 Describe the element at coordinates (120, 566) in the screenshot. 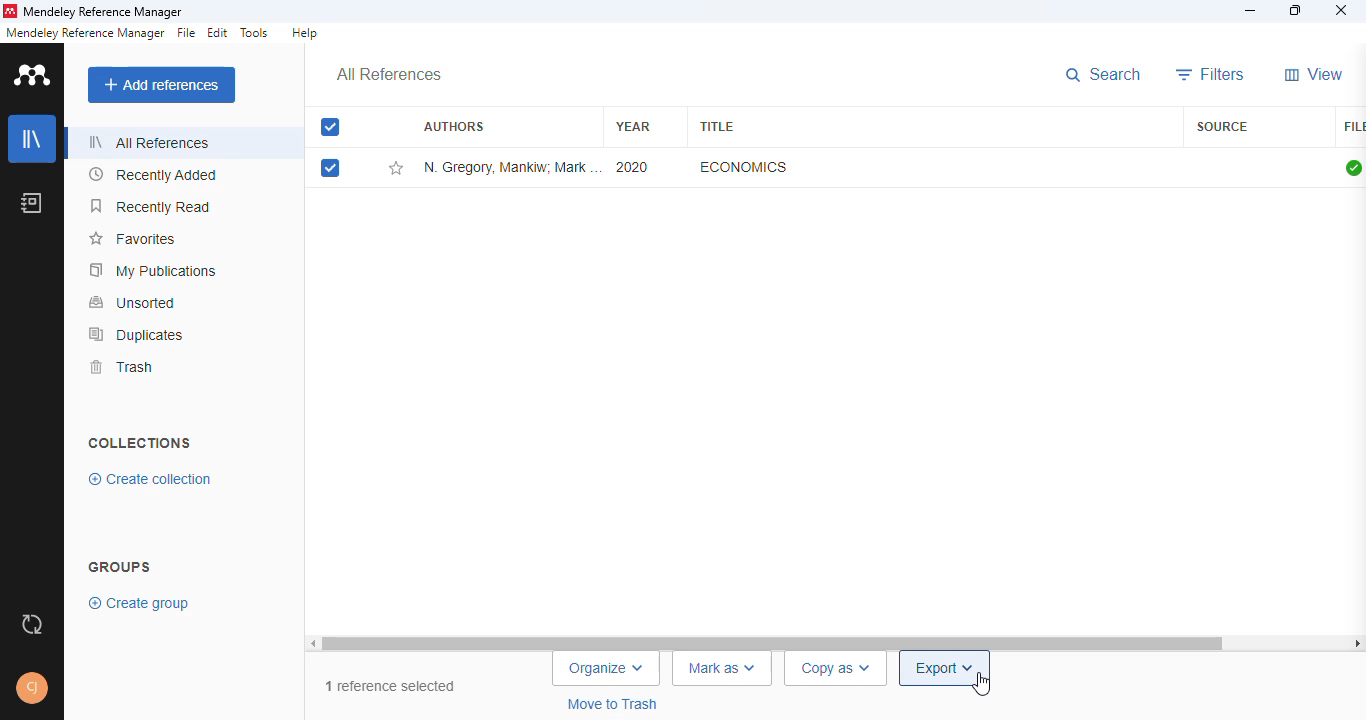

I see `group` at that location.